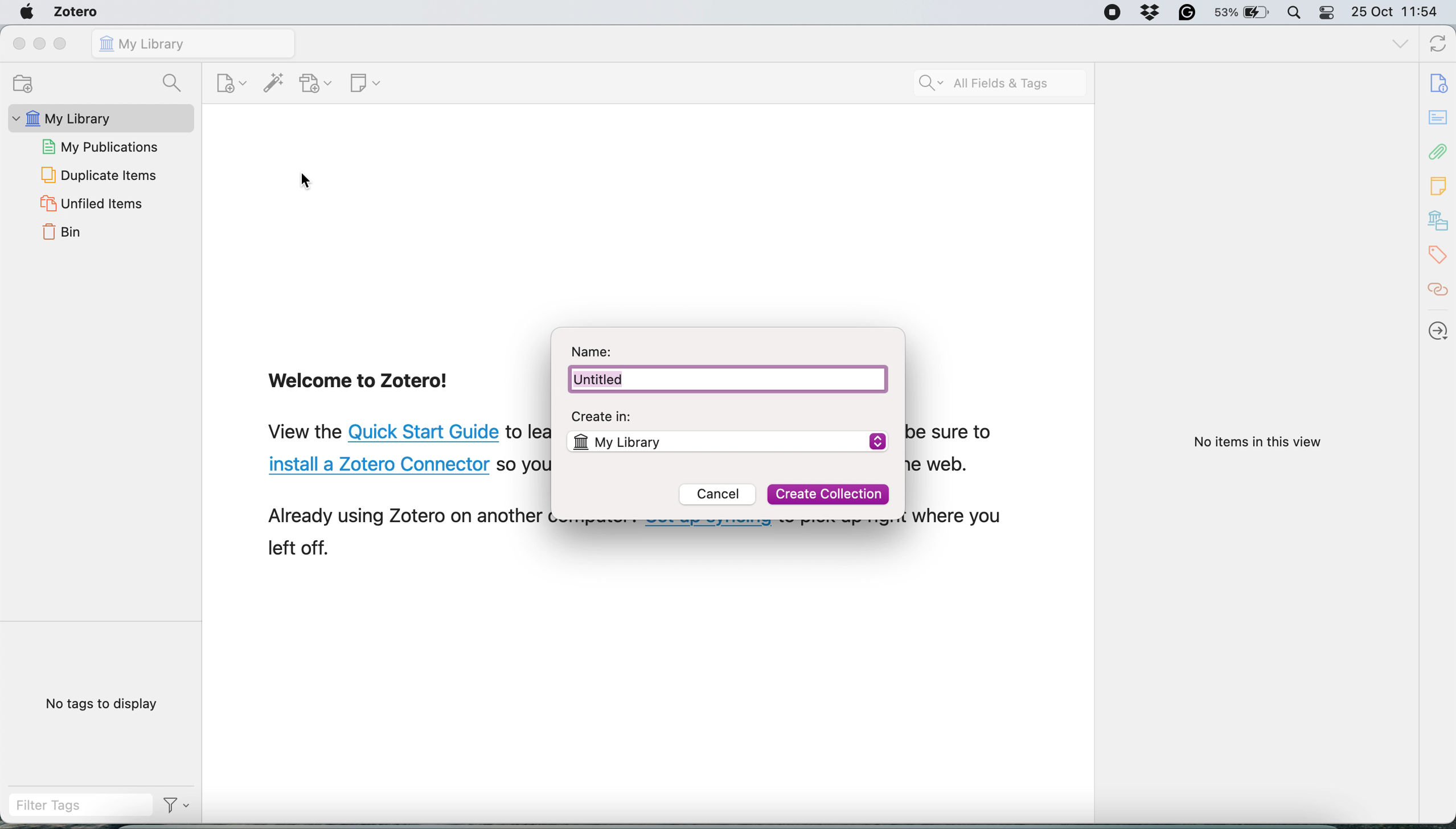 This screenshot has height=829, width=1456. Describe the element at coordinates (28, 83) in the screenshot. I see `new collection` at that location.